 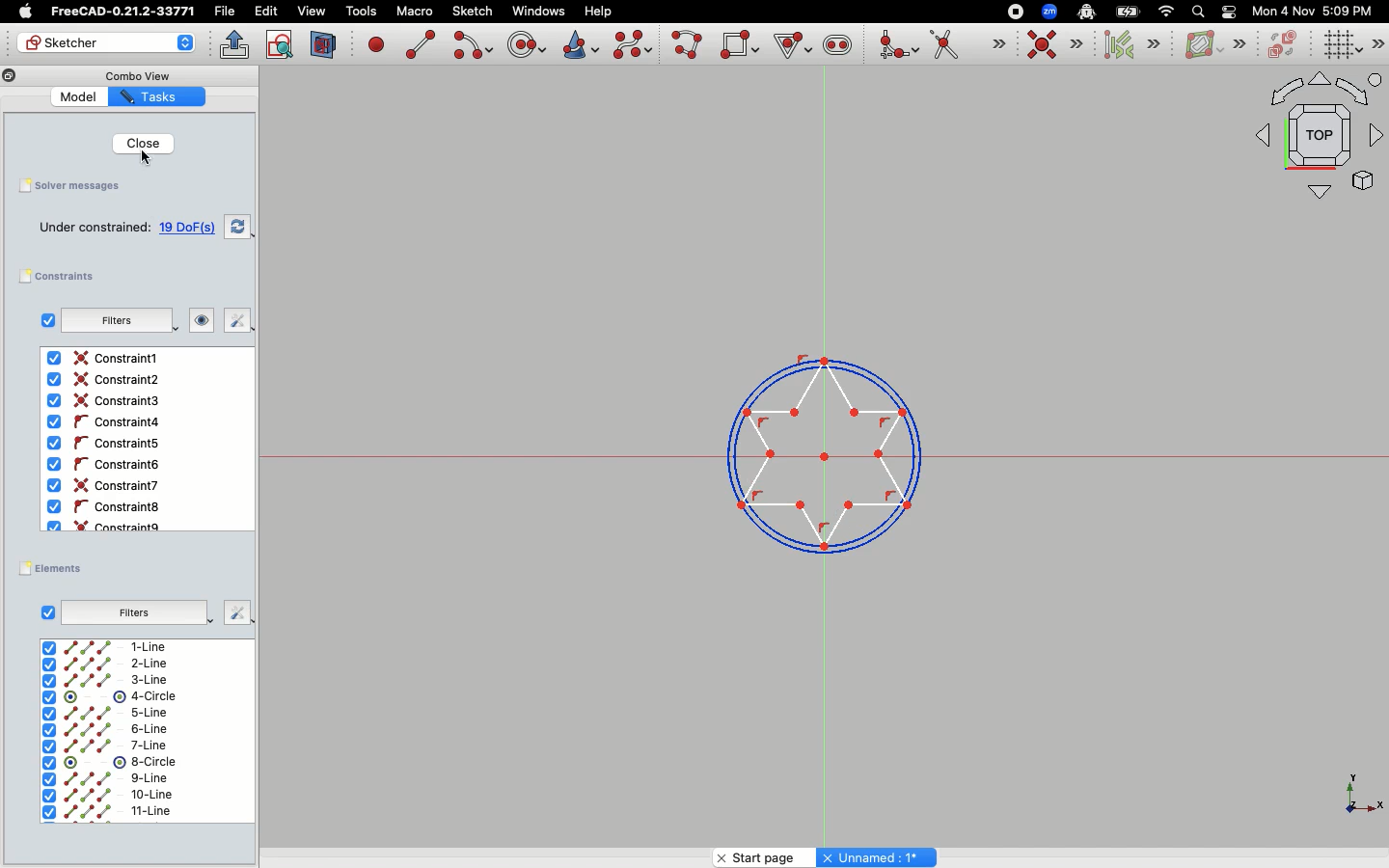 What do you see at coordinates (111, 697) in the screenshot?
I see `4-Circle` at bounding box center [111, 697].